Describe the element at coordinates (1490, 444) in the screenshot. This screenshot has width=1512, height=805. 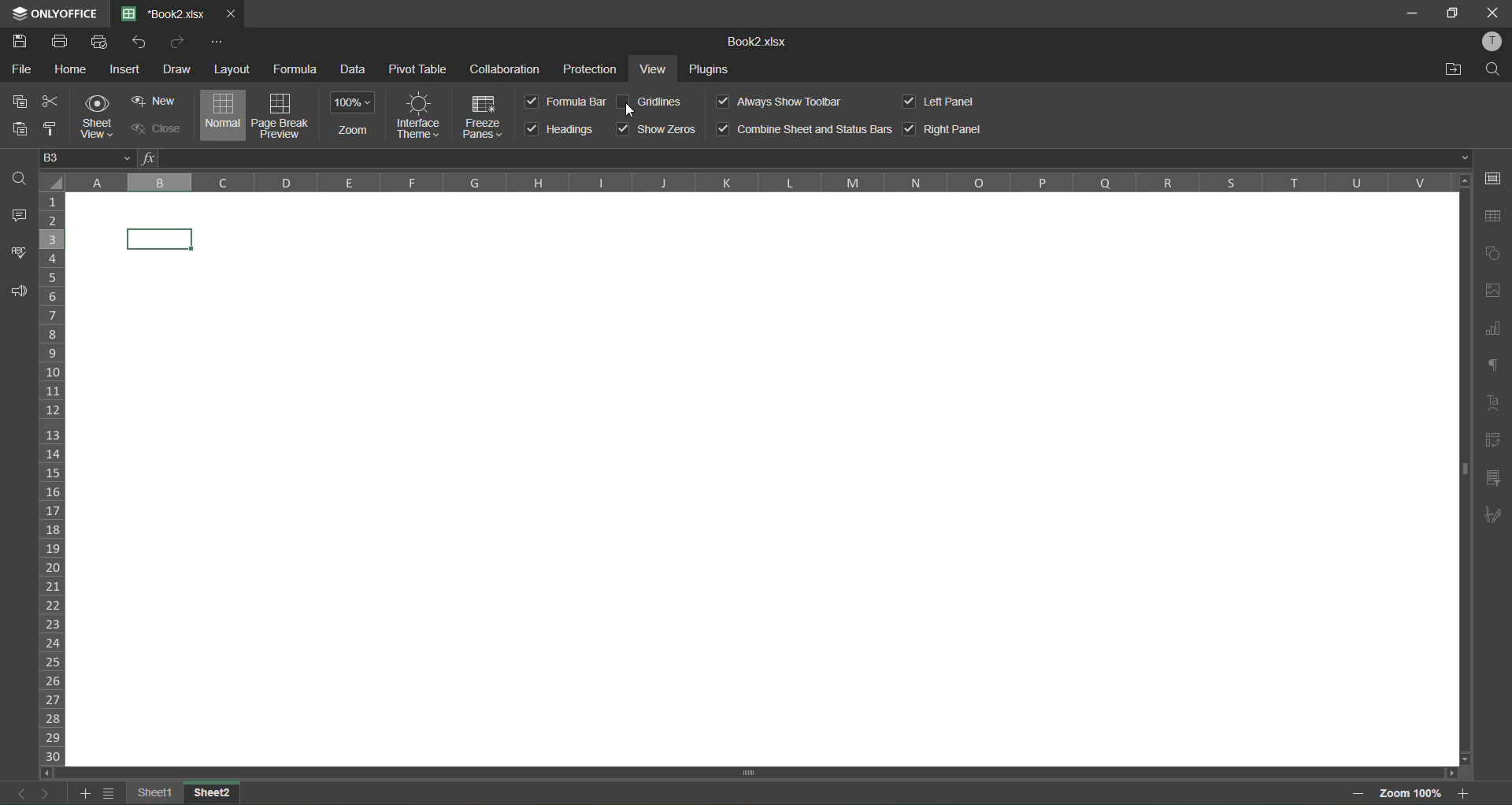
I see `pivot table` at that location.